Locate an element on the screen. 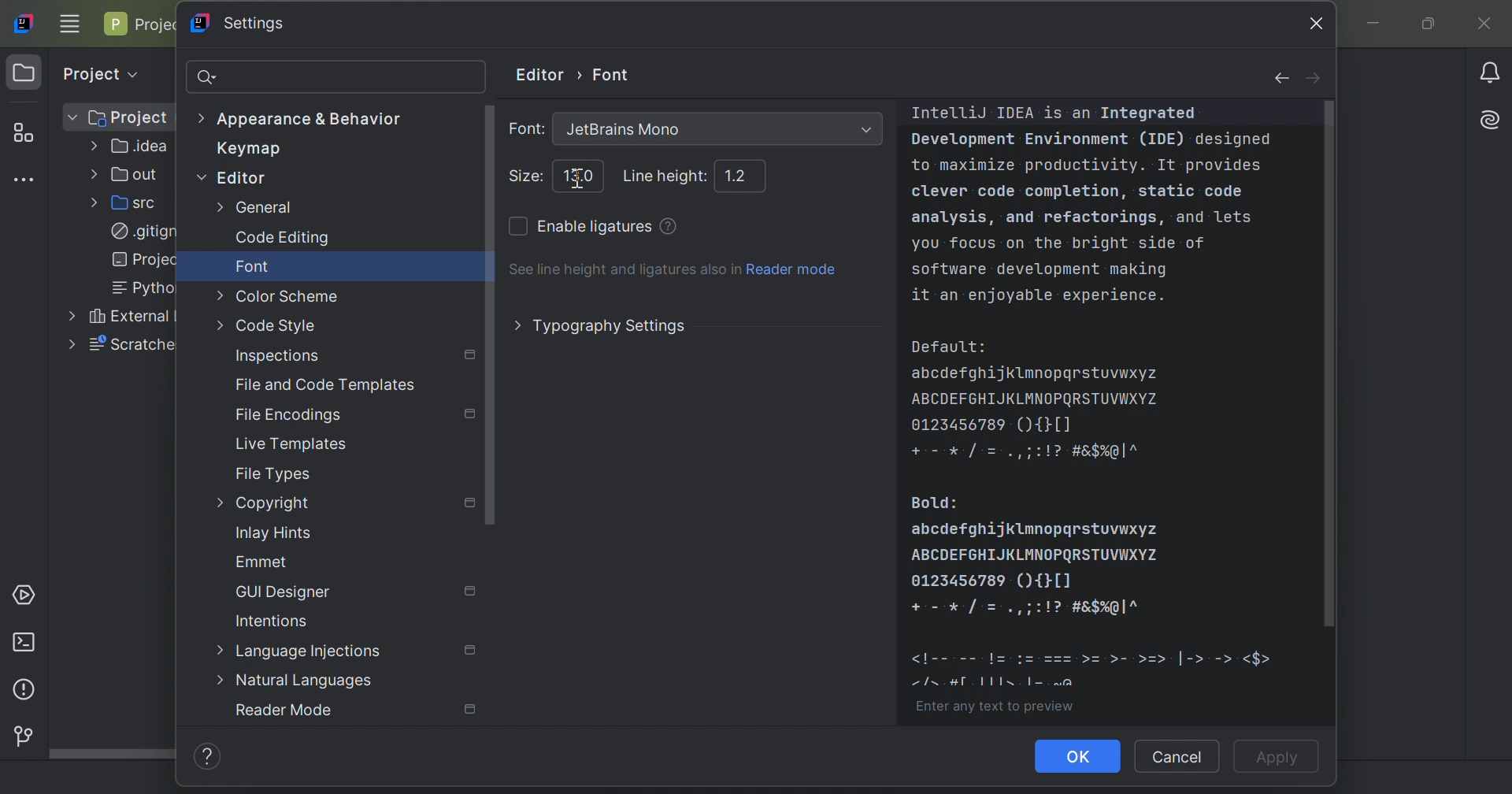 The image size is (1512, 794). Inspections is located at coordinates (277, 356).